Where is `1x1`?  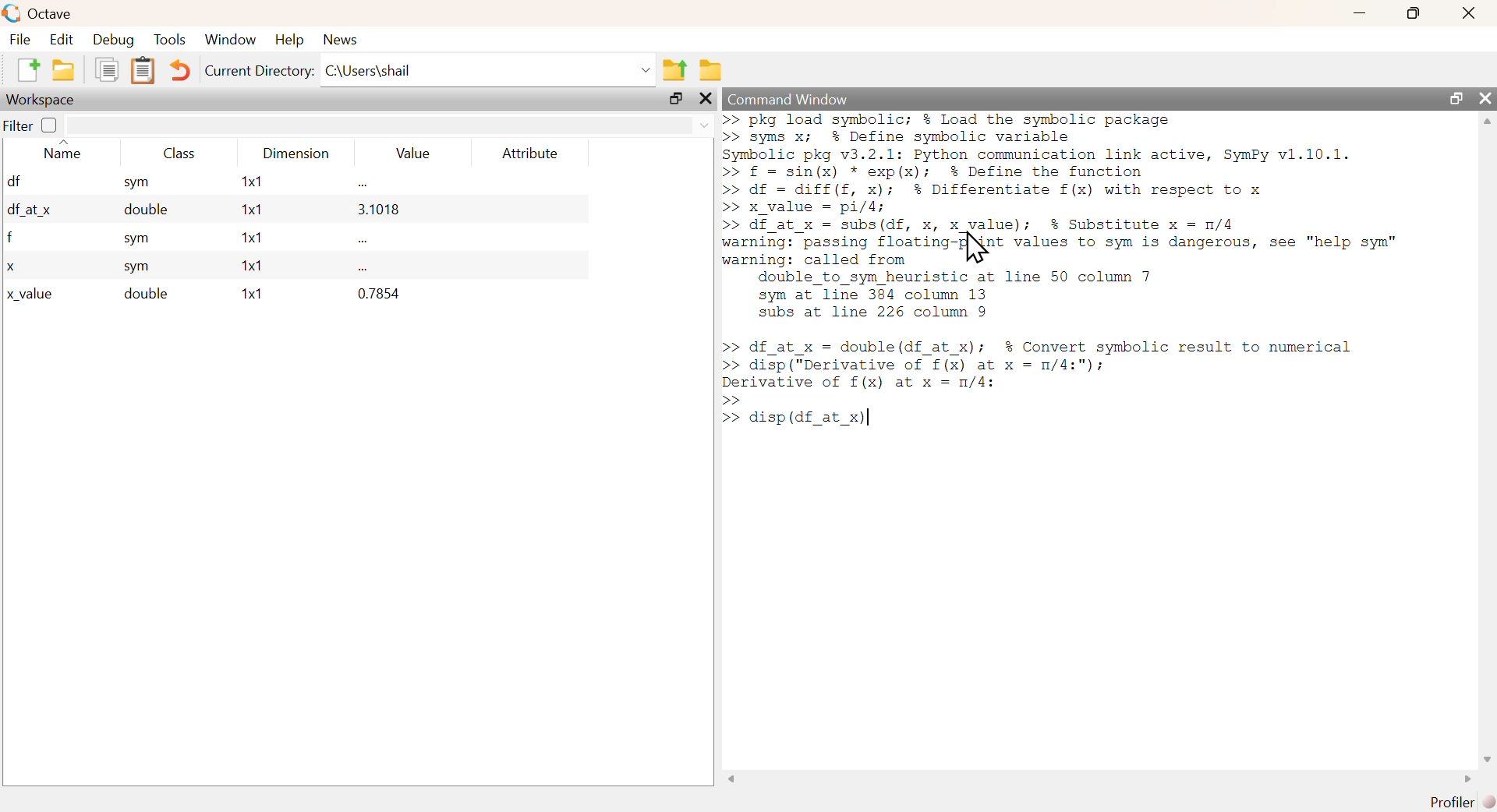
1x1 is located at coordinates (246, 237).